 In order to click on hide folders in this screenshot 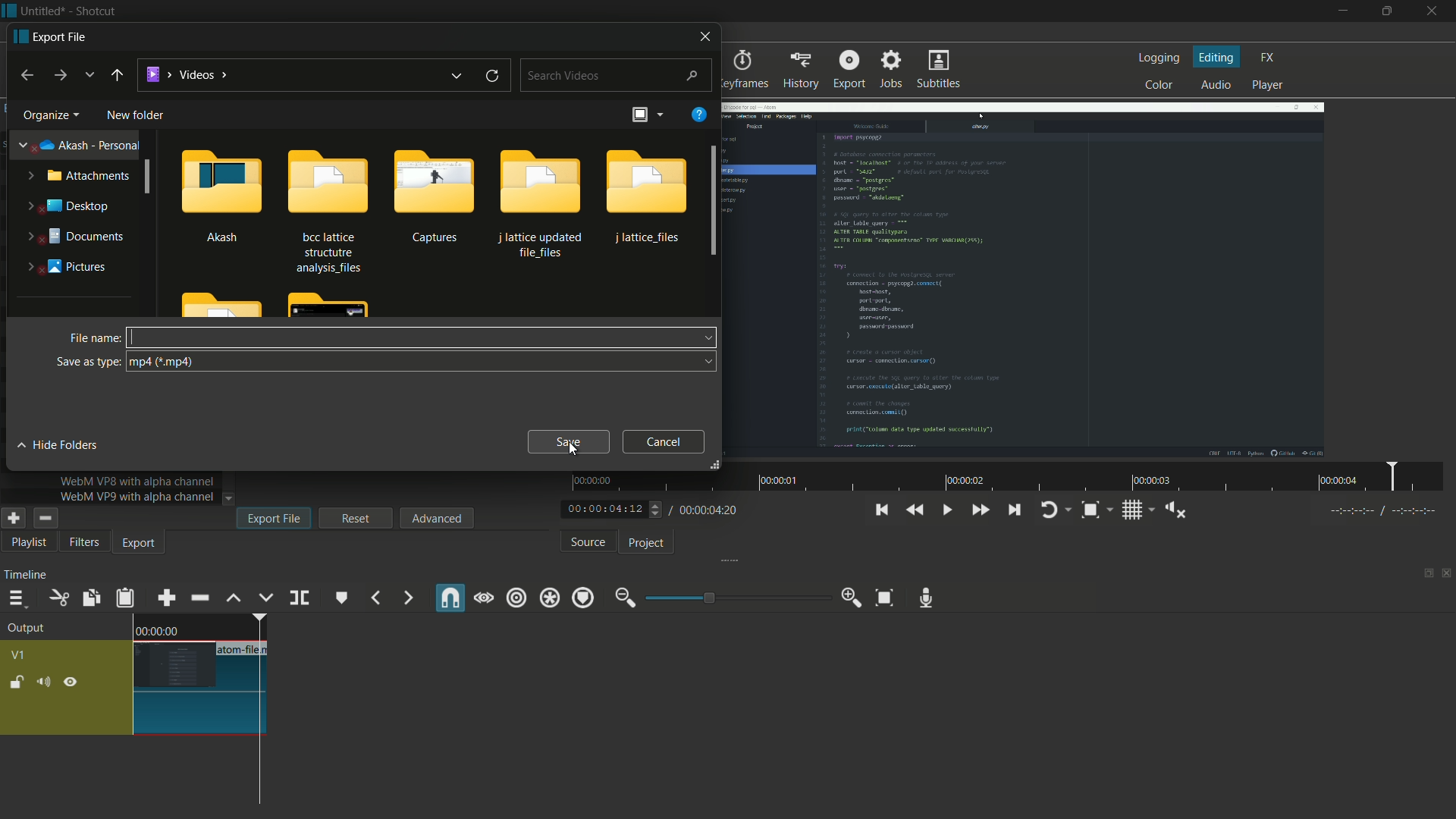, I will do `click(62, 445)`.